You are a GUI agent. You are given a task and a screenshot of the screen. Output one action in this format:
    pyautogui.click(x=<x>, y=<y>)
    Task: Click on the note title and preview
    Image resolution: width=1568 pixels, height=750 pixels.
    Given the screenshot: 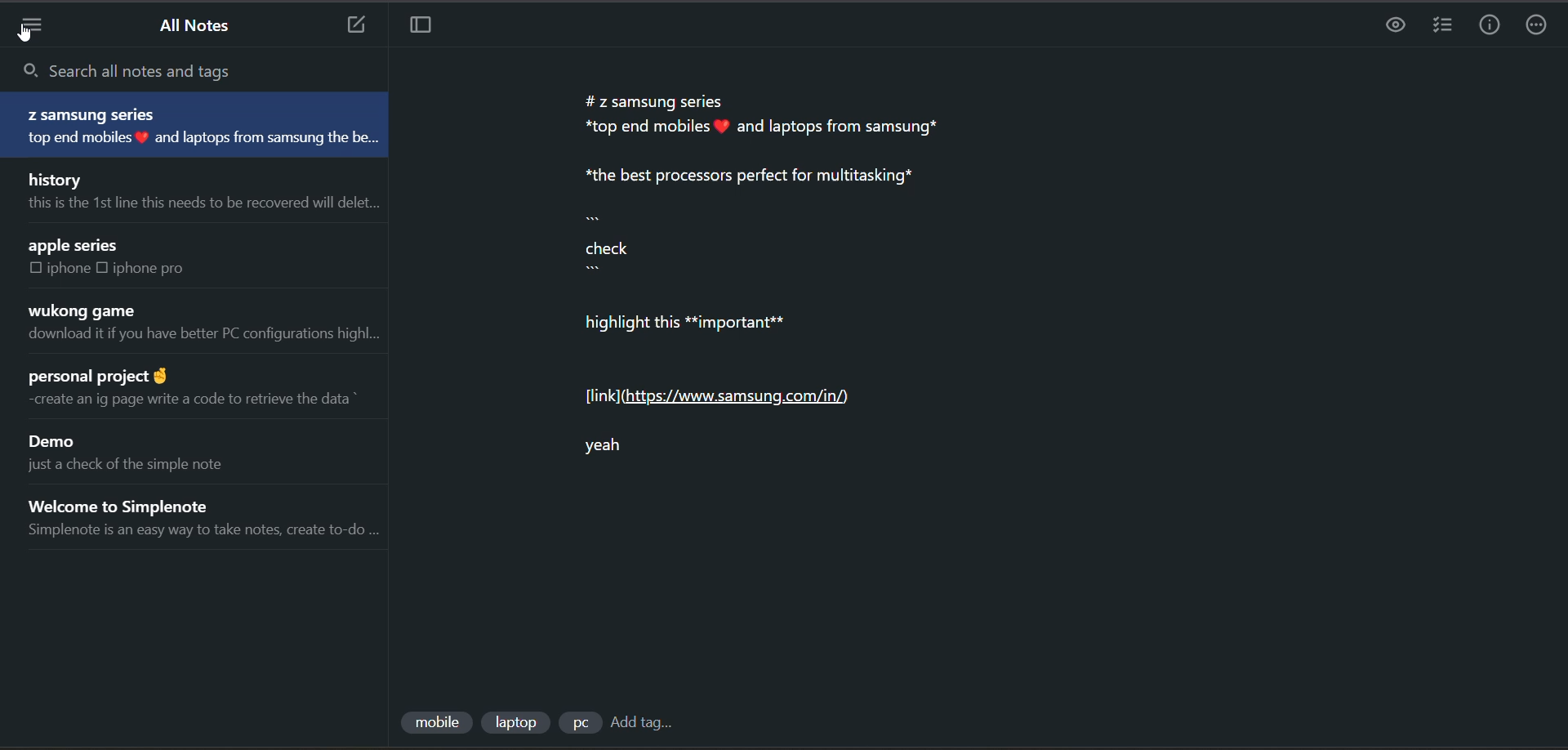 What is the action you would take?
    pyautogui.click(x=216, y=325)
    